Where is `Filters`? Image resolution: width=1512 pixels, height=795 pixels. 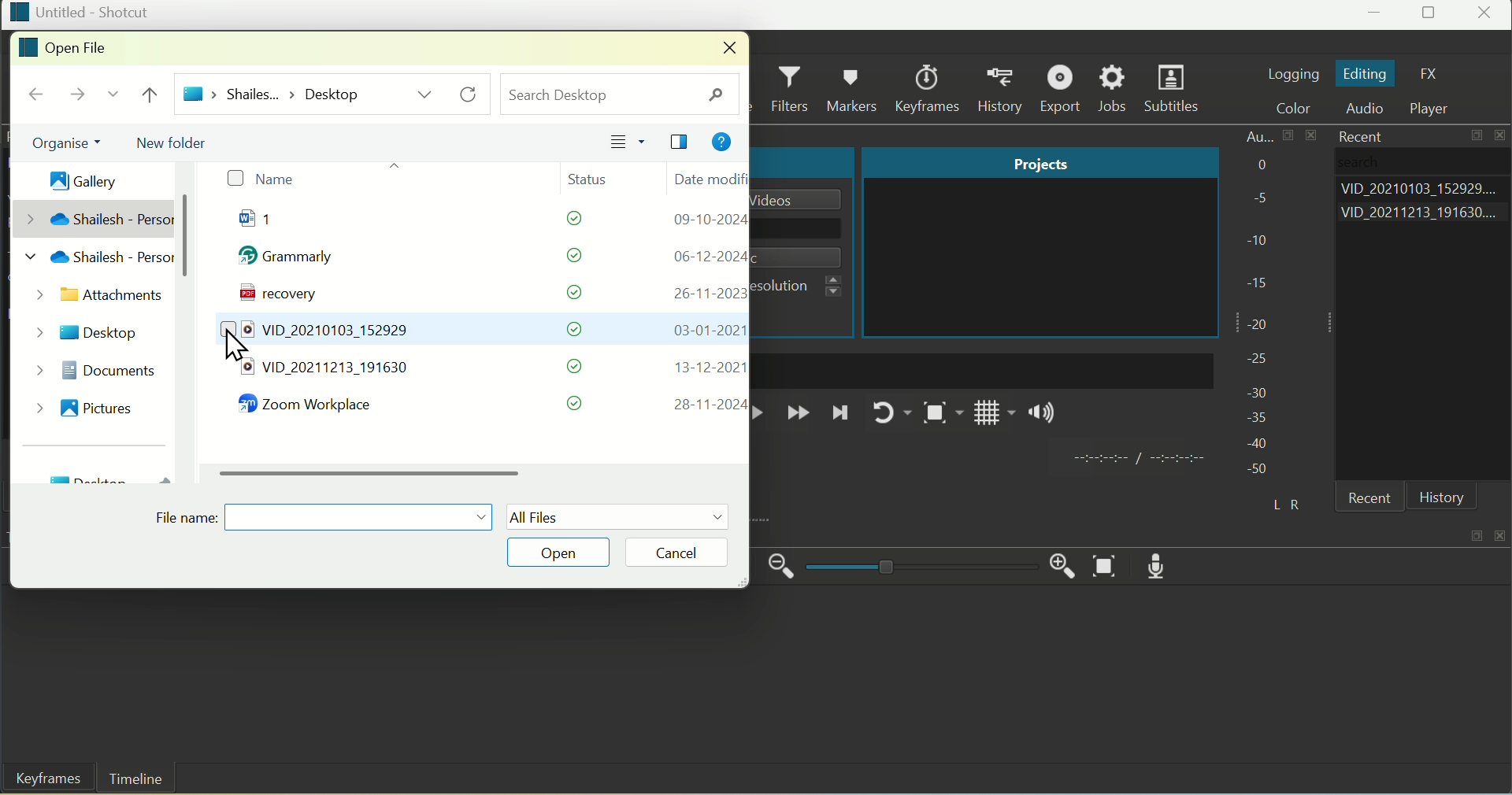
Filters is located at coordinates (792, 90).